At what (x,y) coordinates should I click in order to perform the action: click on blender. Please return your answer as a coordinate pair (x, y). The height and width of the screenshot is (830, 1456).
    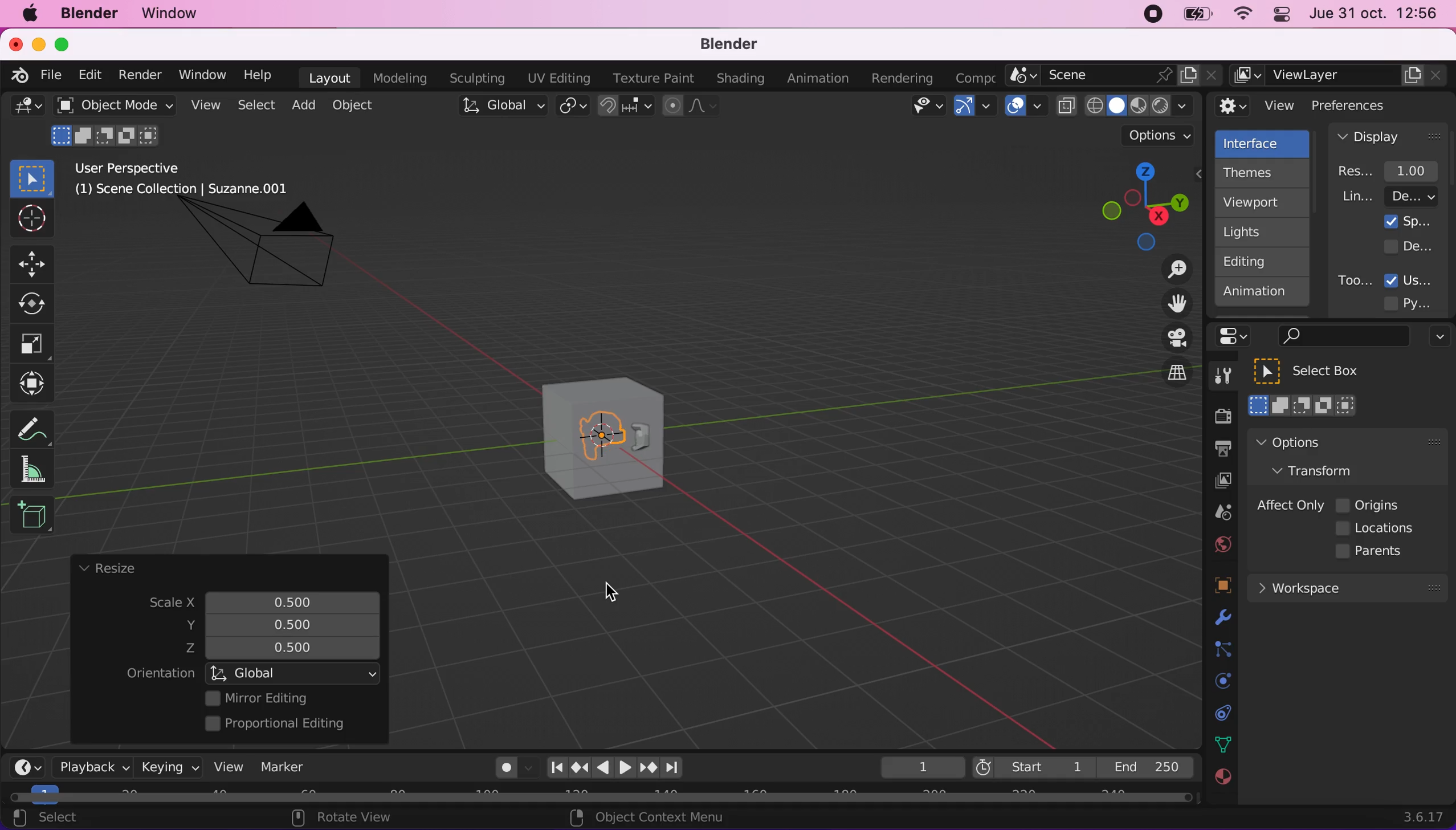
    Looking at the image, I should click on (15, 74).